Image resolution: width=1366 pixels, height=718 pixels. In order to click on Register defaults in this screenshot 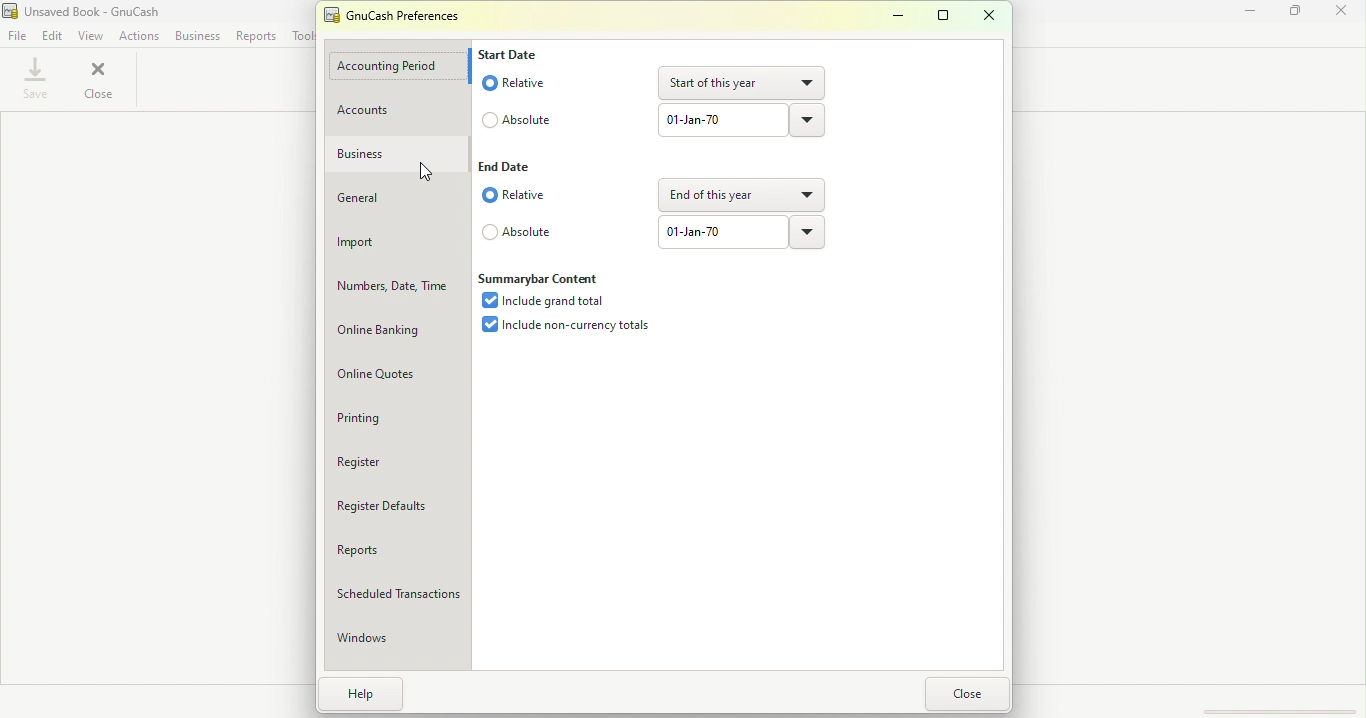, I will do `click(397, 504)`.